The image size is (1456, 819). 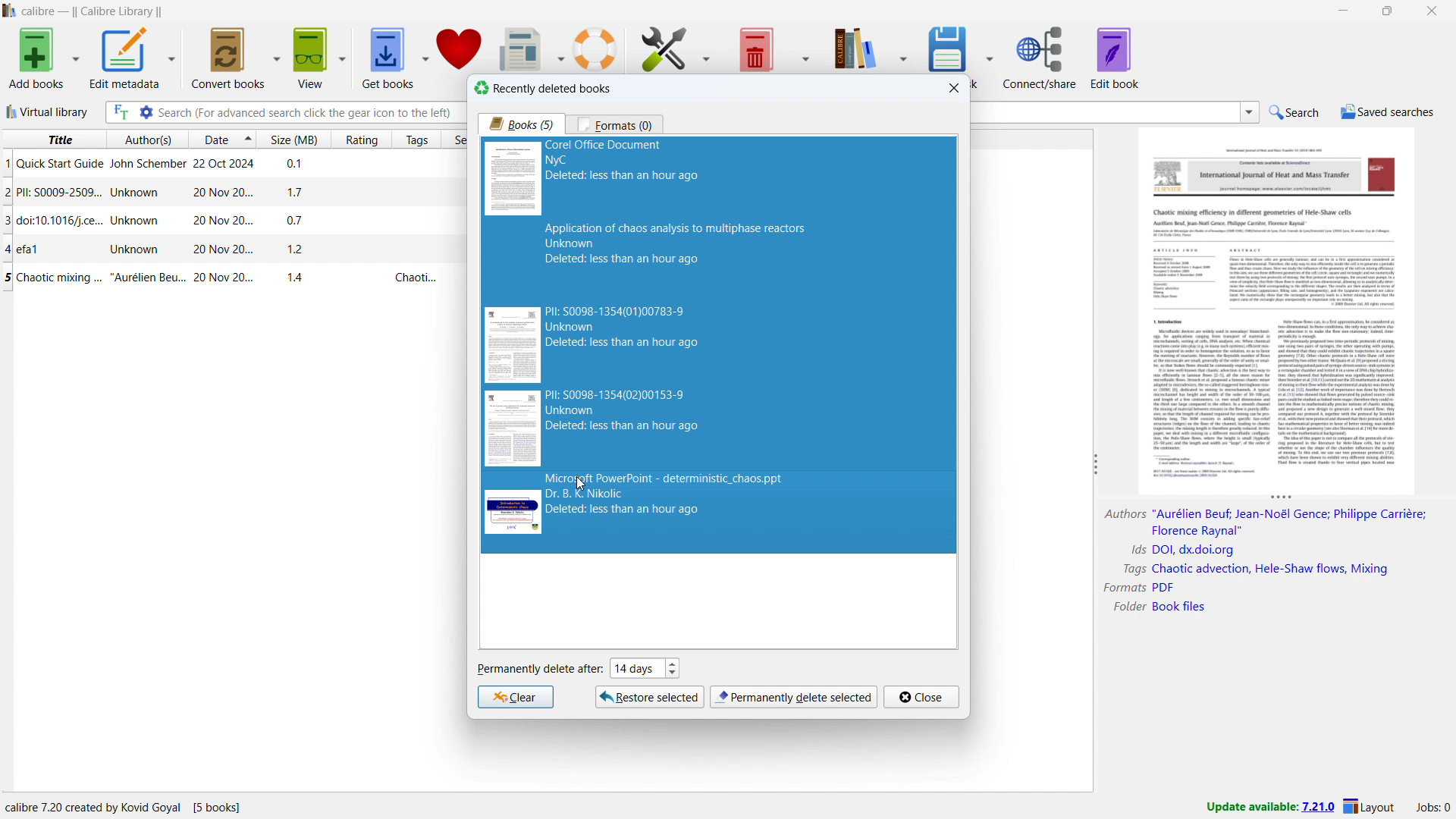 I want to click on sort by rating, so click(x=362, y=140).